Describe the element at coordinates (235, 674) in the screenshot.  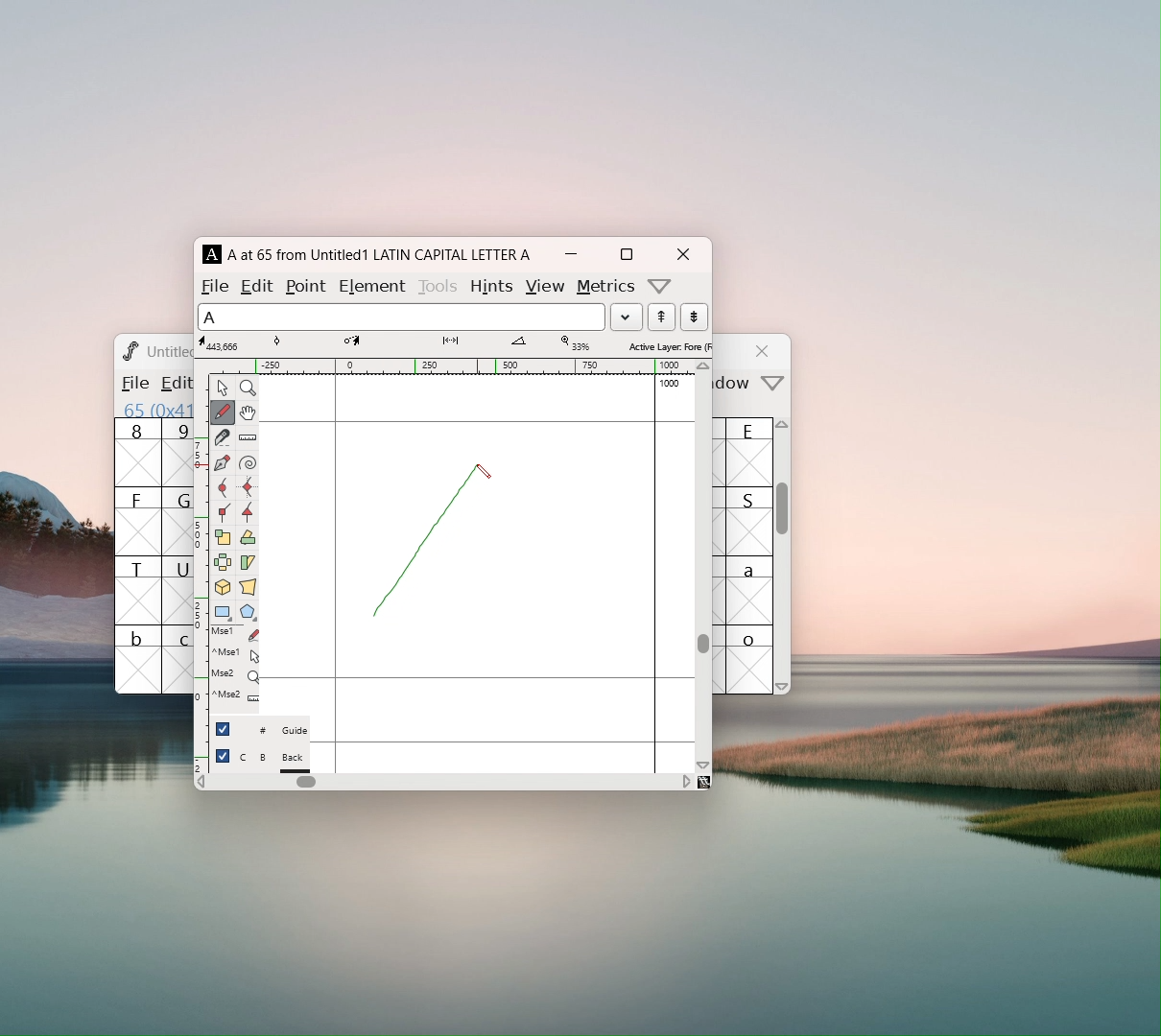
I see `Mse2` at that location.